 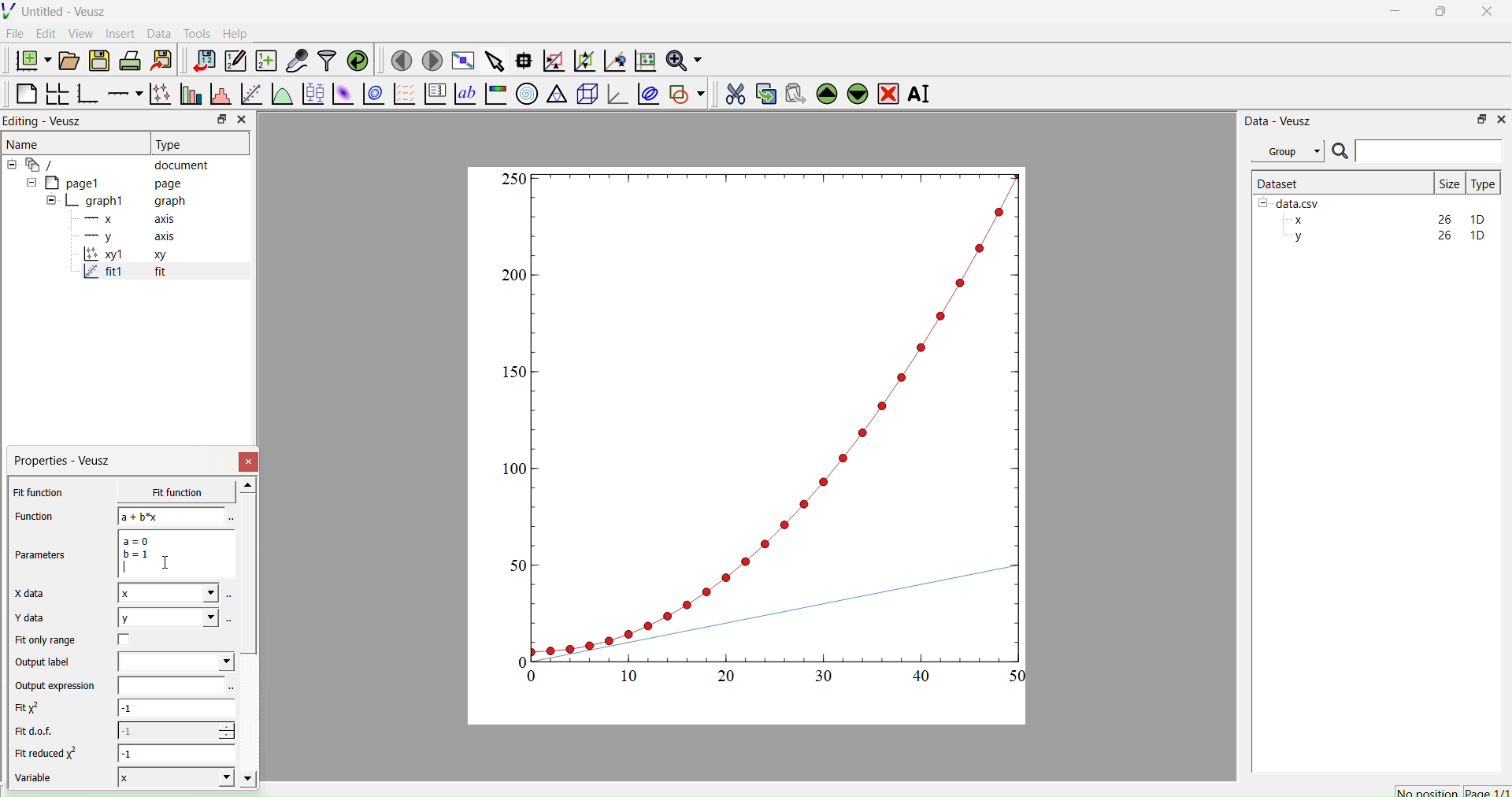 What do you see at coordinates (46, 555) in the screenshot?
I see `Parameters` at bounding box center [46, 555].